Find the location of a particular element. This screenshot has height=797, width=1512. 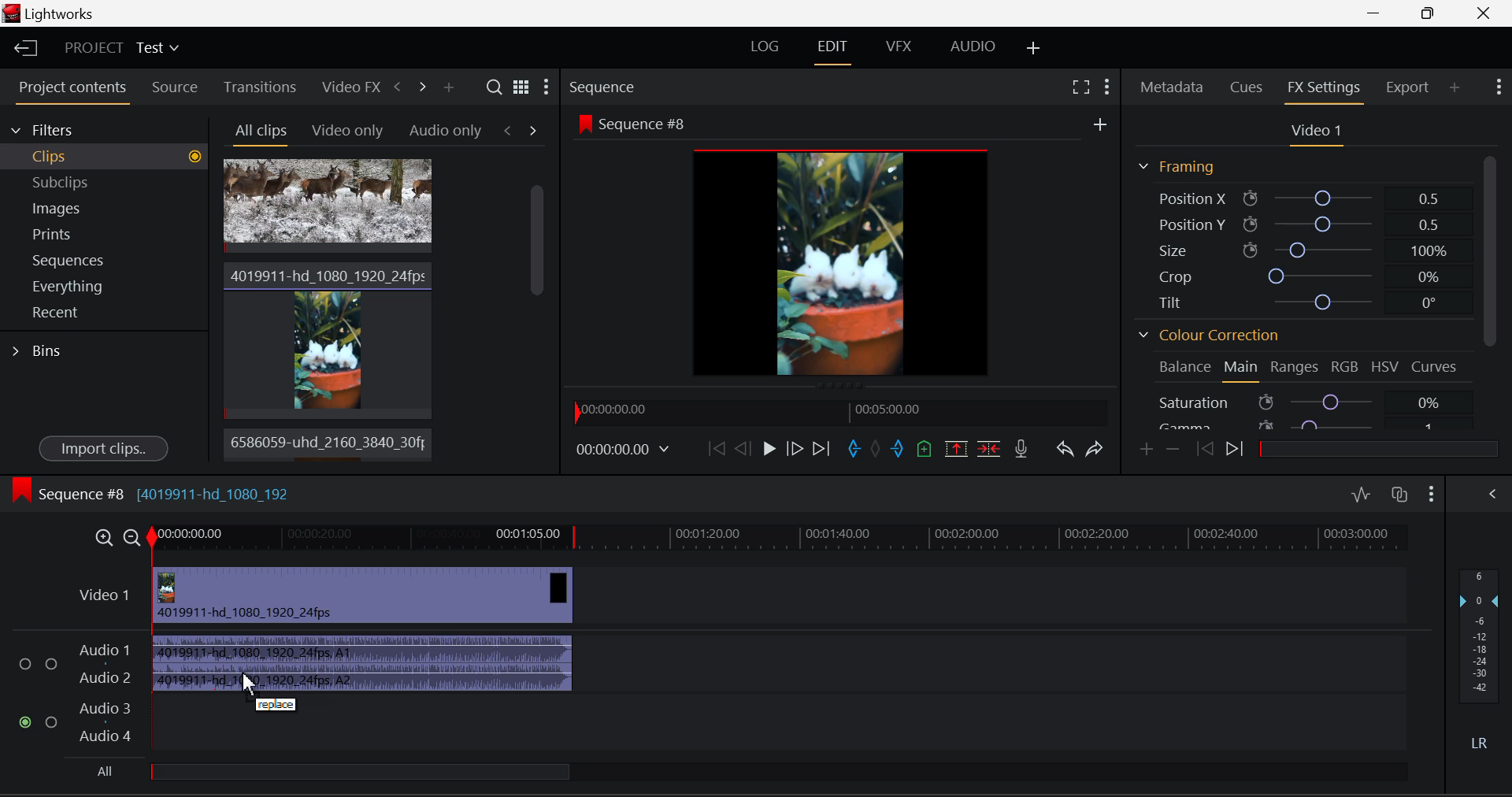

Size is located at coordinates (1309, 250).